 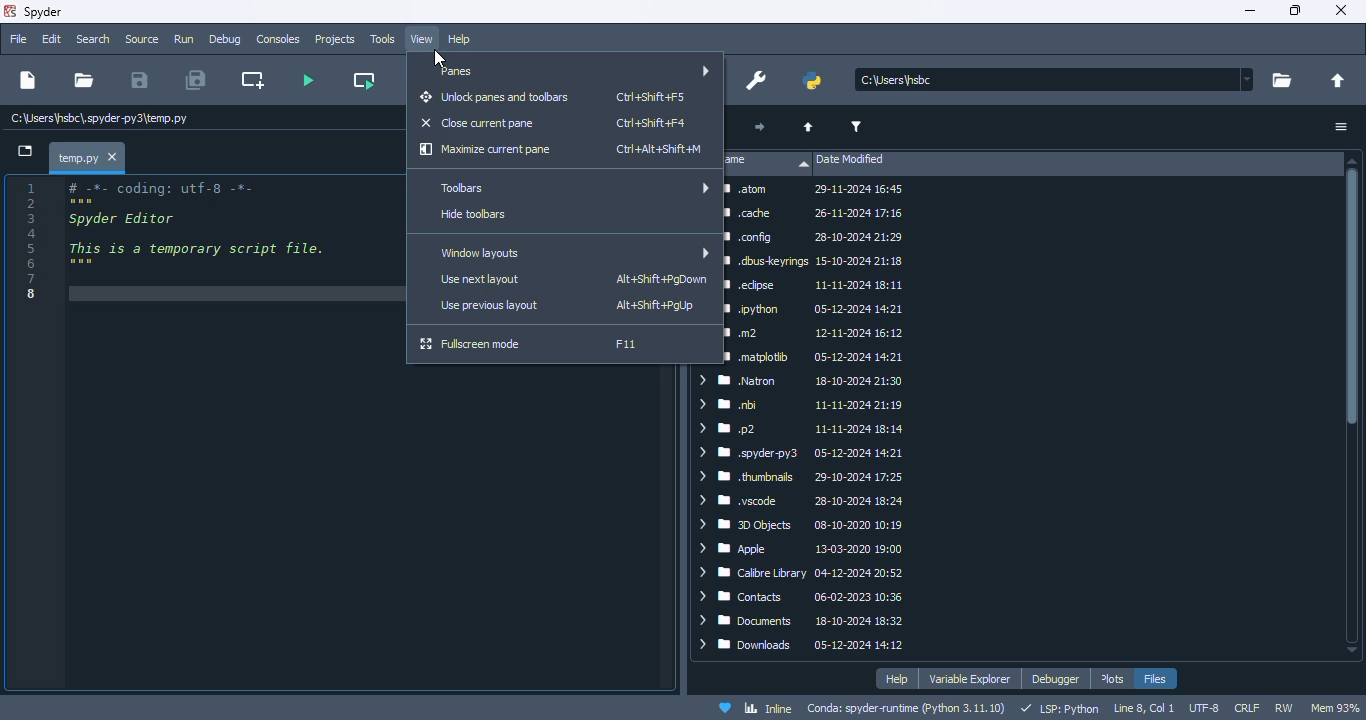 What do you see at coordinates (809, 128) in the screenshot?
I see `parent` at bounding box center [809, 128].